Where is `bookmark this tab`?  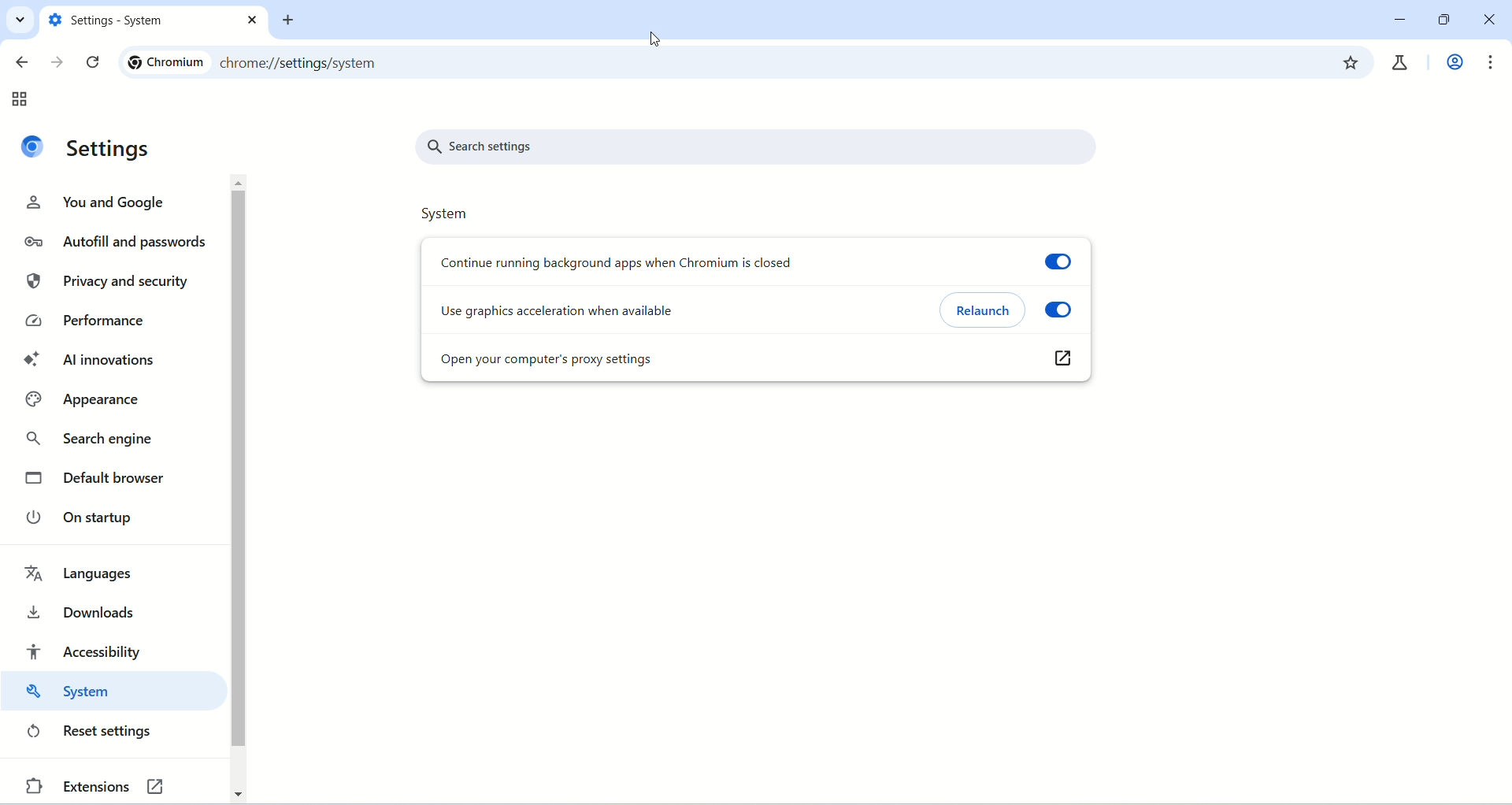
bookmark this tab is located at coordinates (1352, 61).